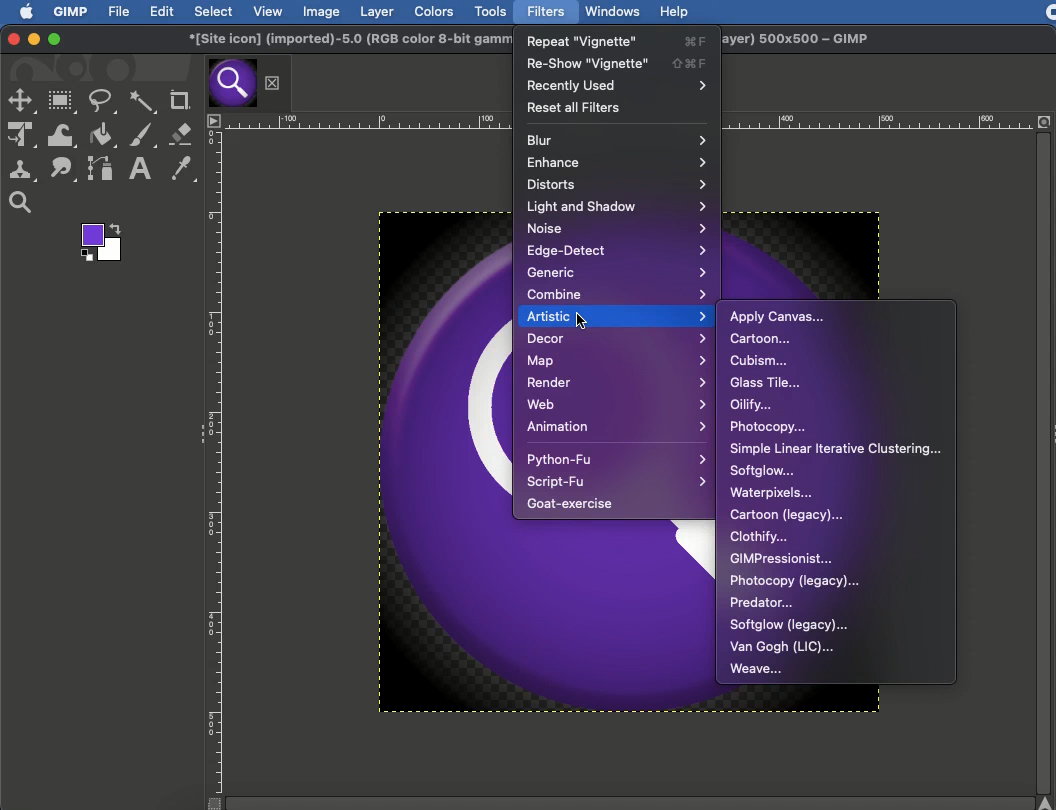  I want to click on Color picker, so click(182, 167).